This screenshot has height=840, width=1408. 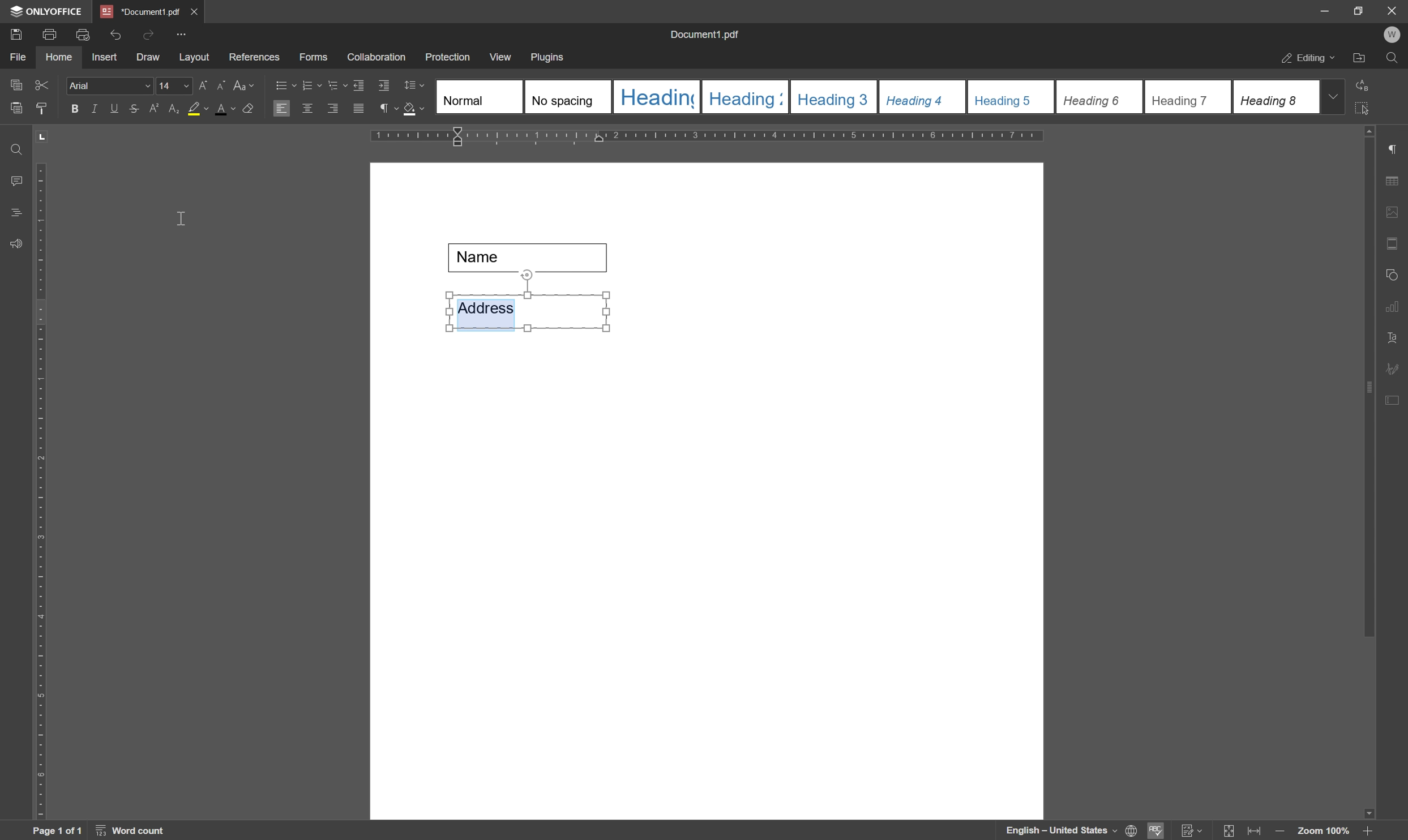 What do you see at coordinates (49, 35) in the screenshot?
I see `print` at bounding box center [49, 35].